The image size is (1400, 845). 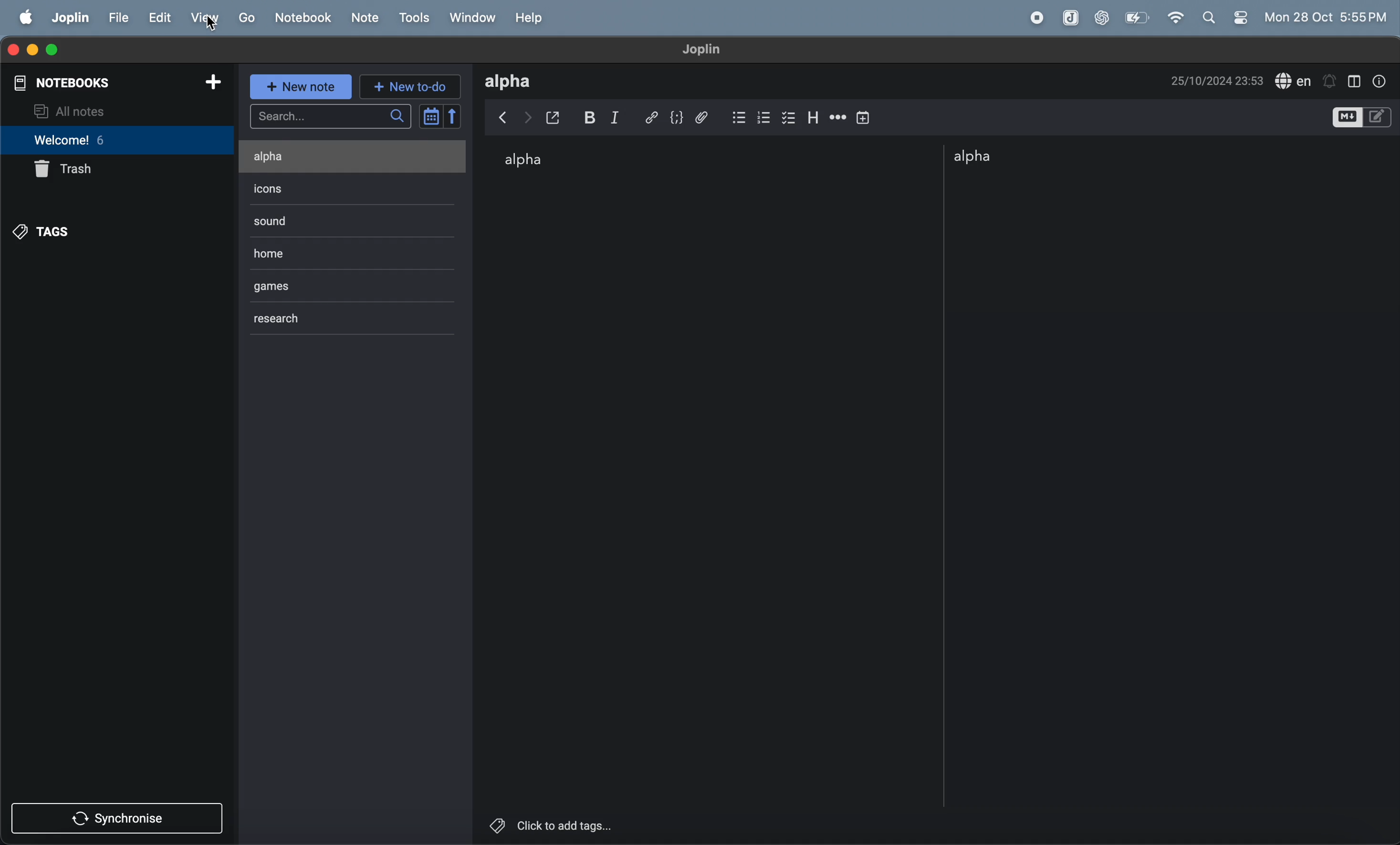 What do you see at coordinates (708, 50) in the screenshot?
I see `title joplin` at bounding box center [708, 50].